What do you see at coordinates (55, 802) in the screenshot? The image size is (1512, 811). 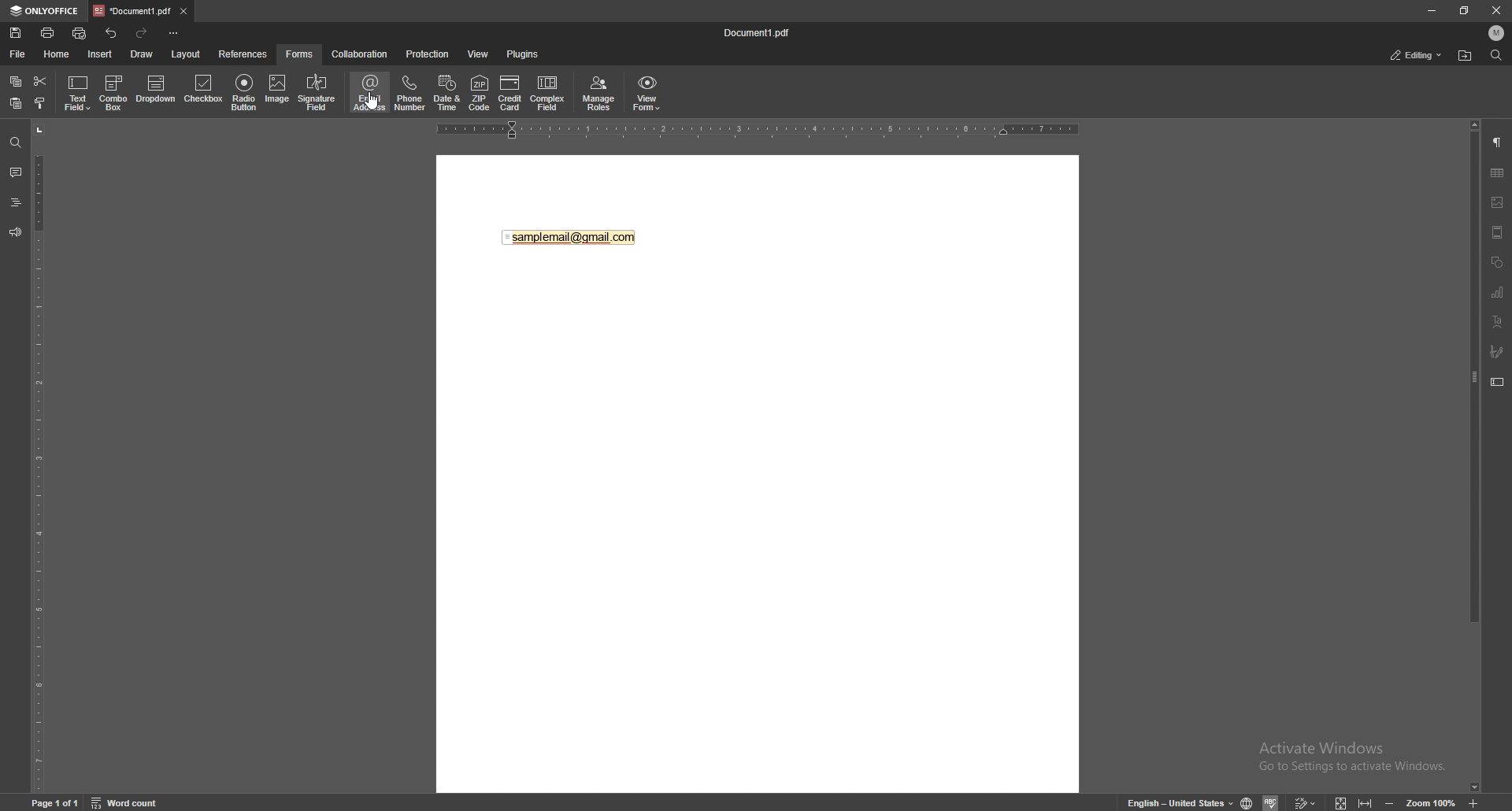 I see `page` at bounding box center [55, 802].